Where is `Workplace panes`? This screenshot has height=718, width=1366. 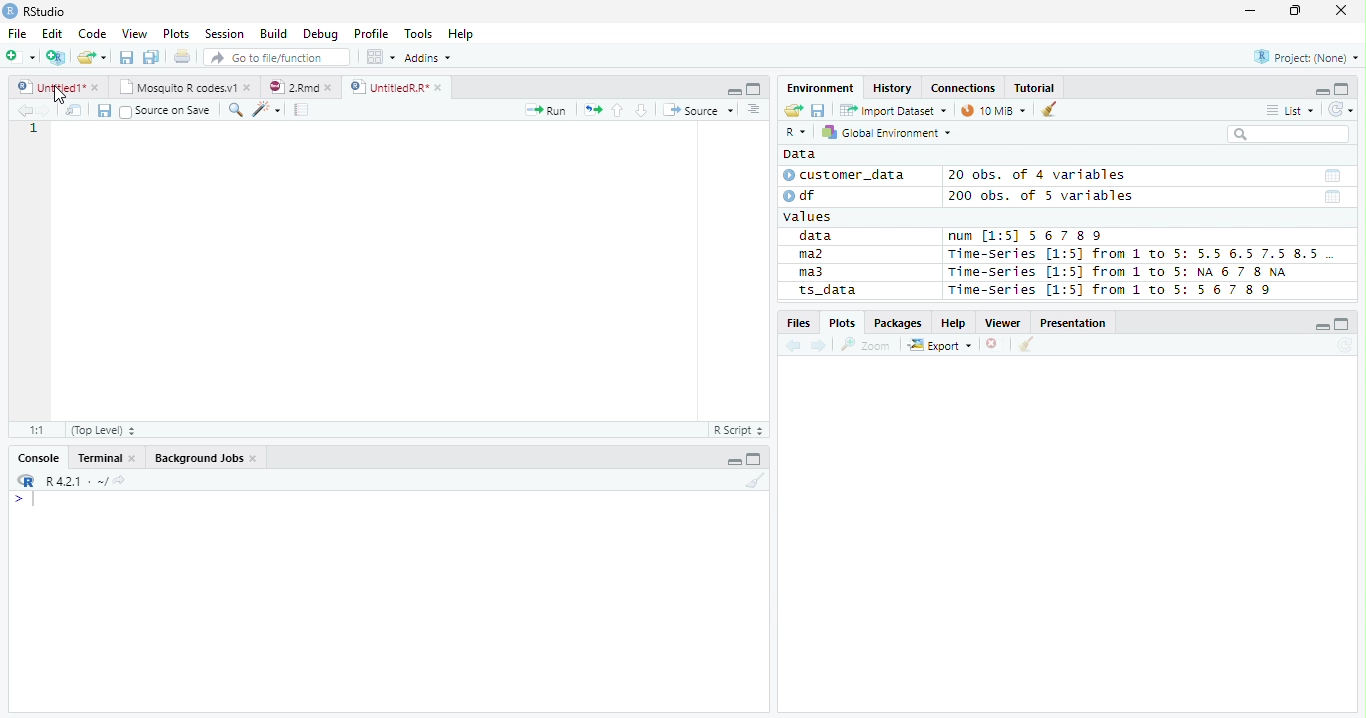 Workplace panes is located at coordinates (380, 57).